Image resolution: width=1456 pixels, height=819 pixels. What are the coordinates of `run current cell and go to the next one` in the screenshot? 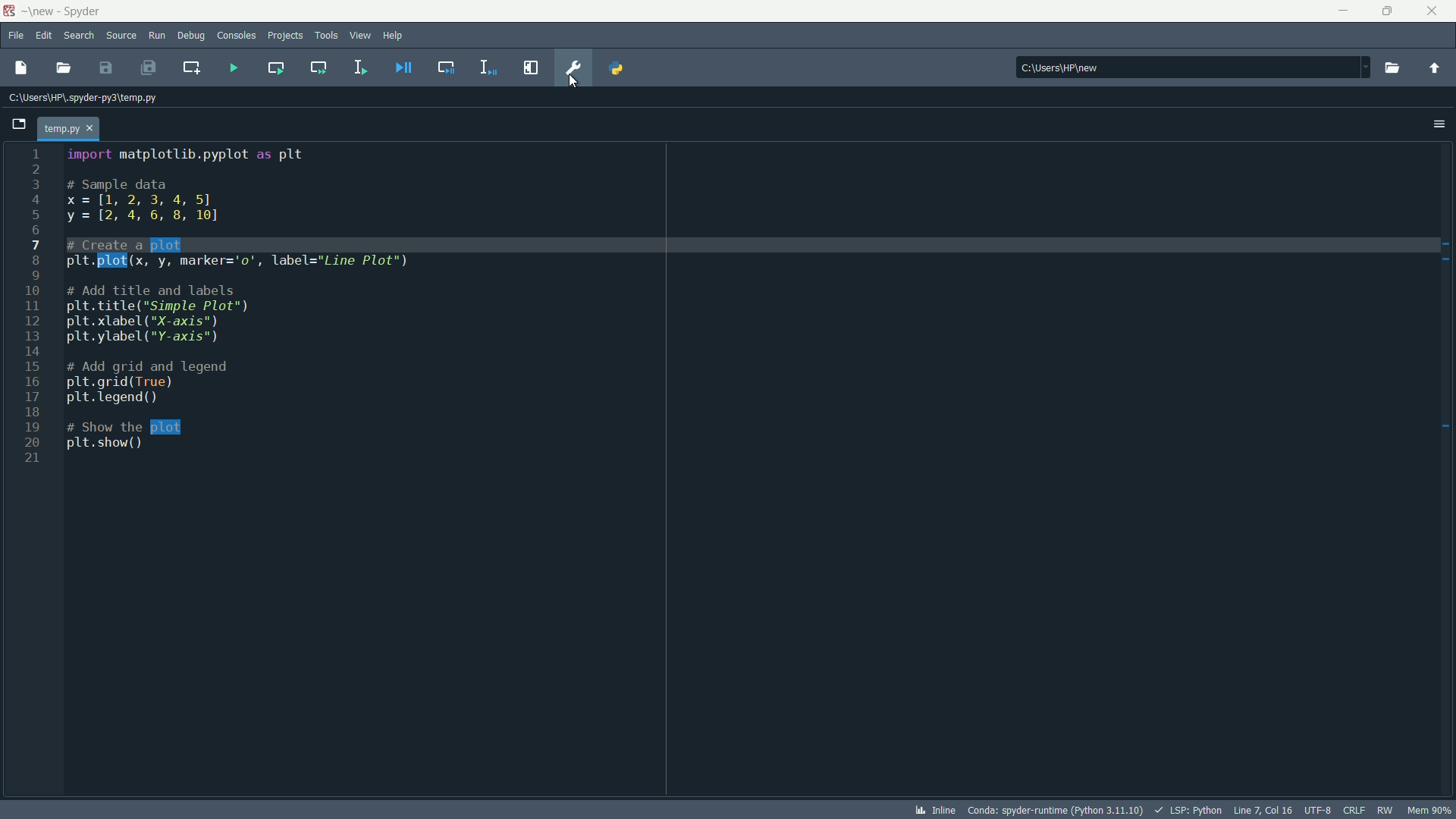 It's located at (320, 67).